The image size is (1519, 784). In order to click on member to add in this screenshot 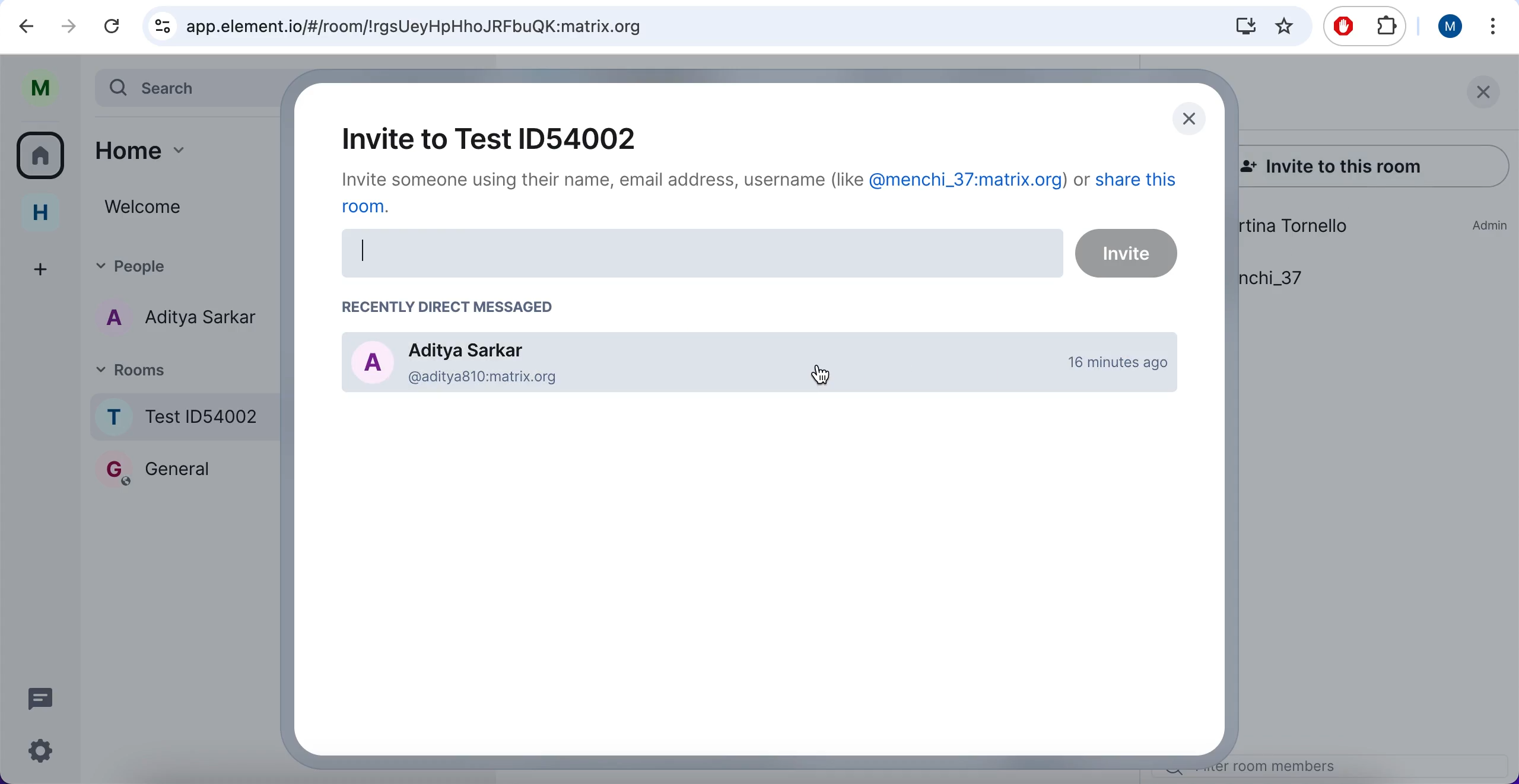, I will do `click(756, 364)`.